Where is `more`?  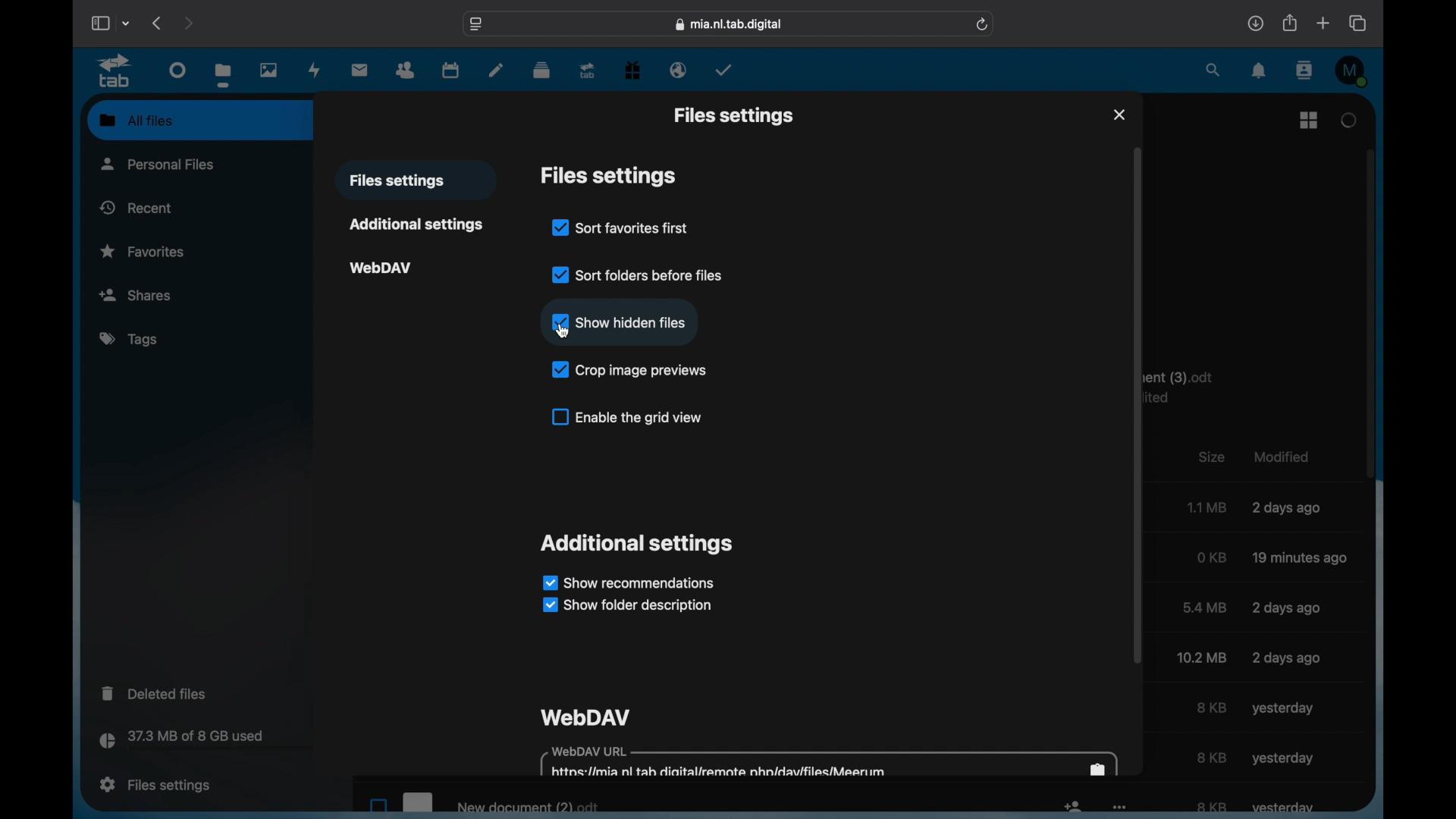
more is located at coordinates (1123, 809).